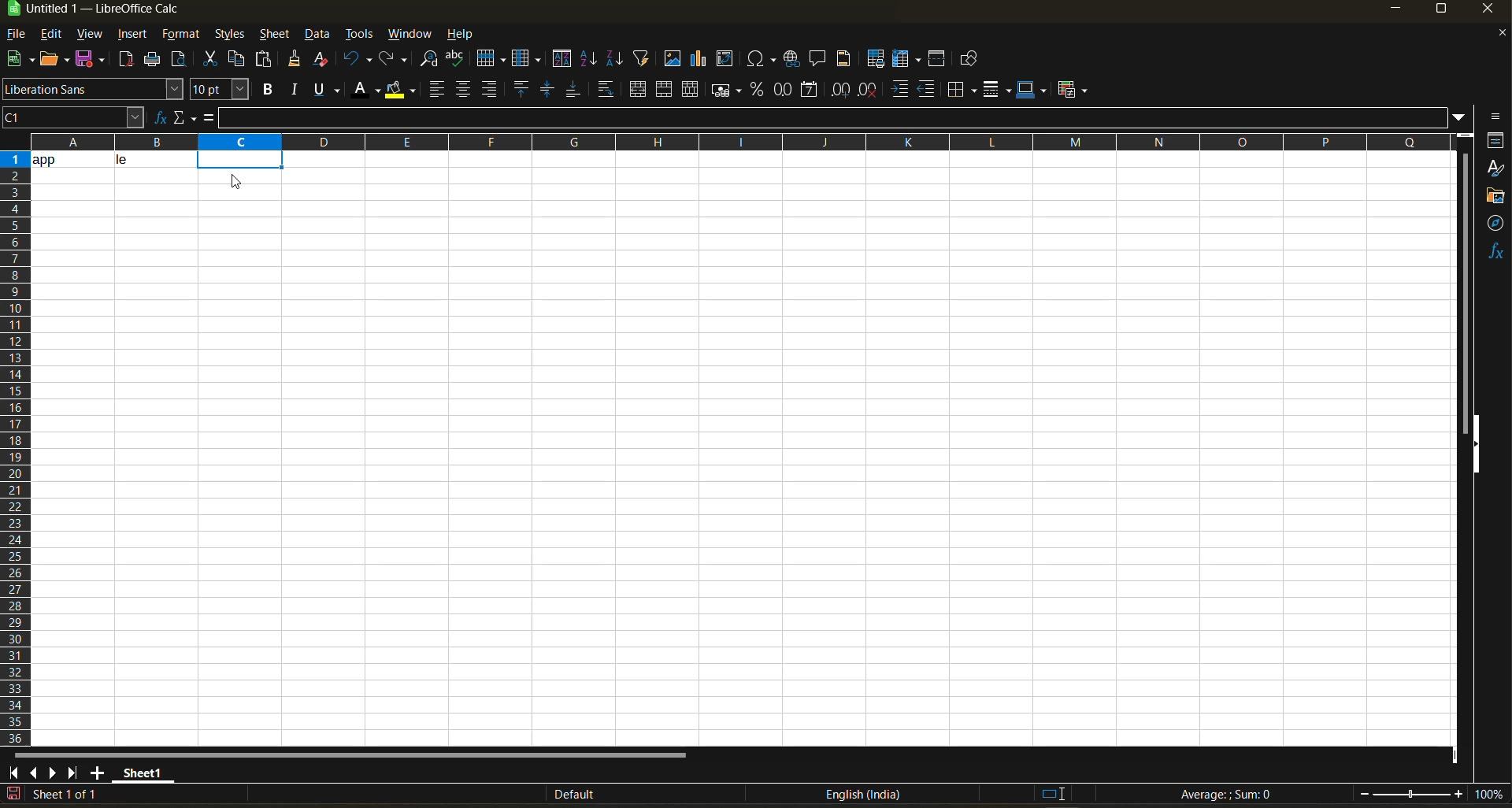 The image size is (1512, 808). What do you see at coordinates (183, 116) in the screenshot?
I see `select function` at bounding box center [183, 116].